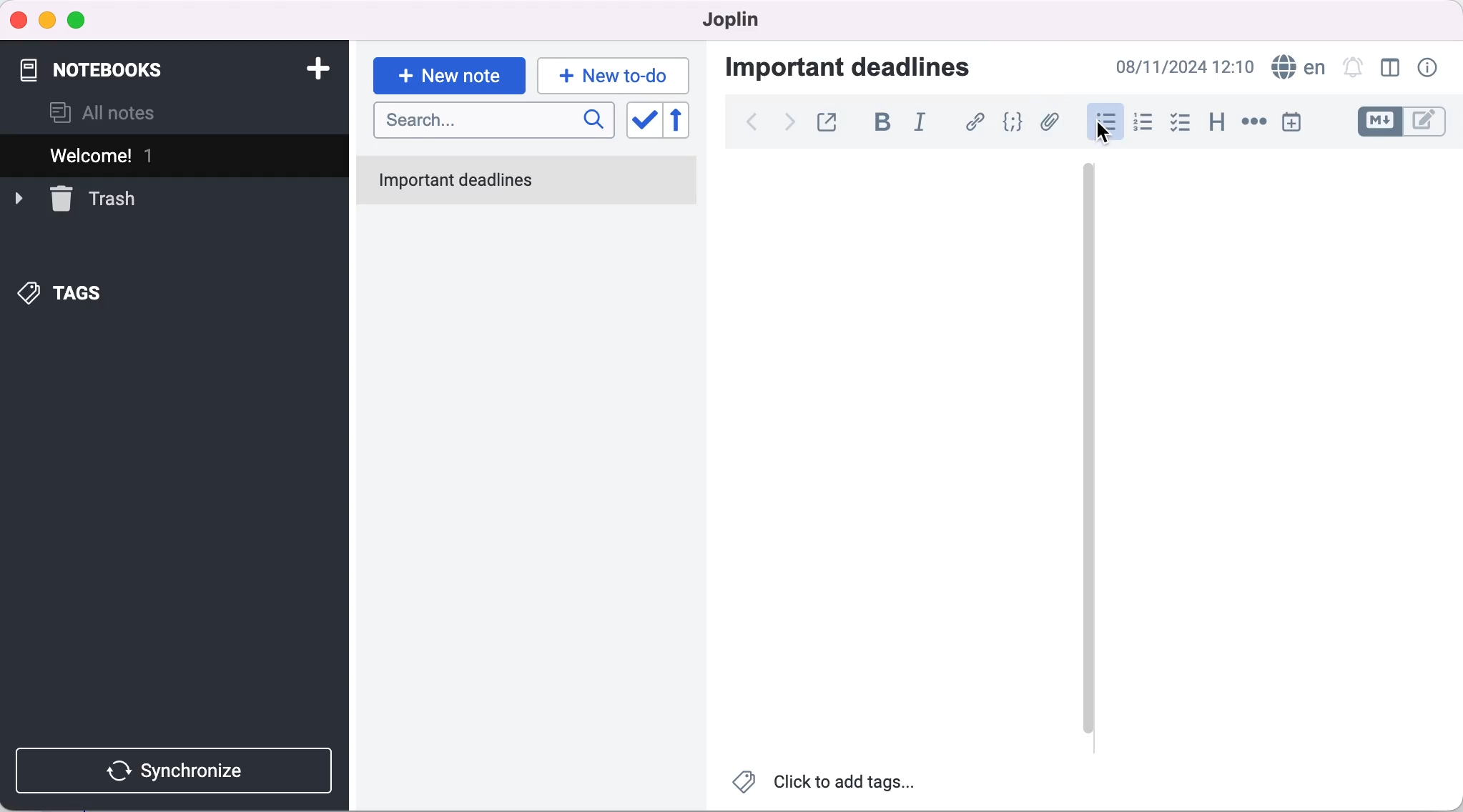  I want to click on synchronize, so click(179, 770).